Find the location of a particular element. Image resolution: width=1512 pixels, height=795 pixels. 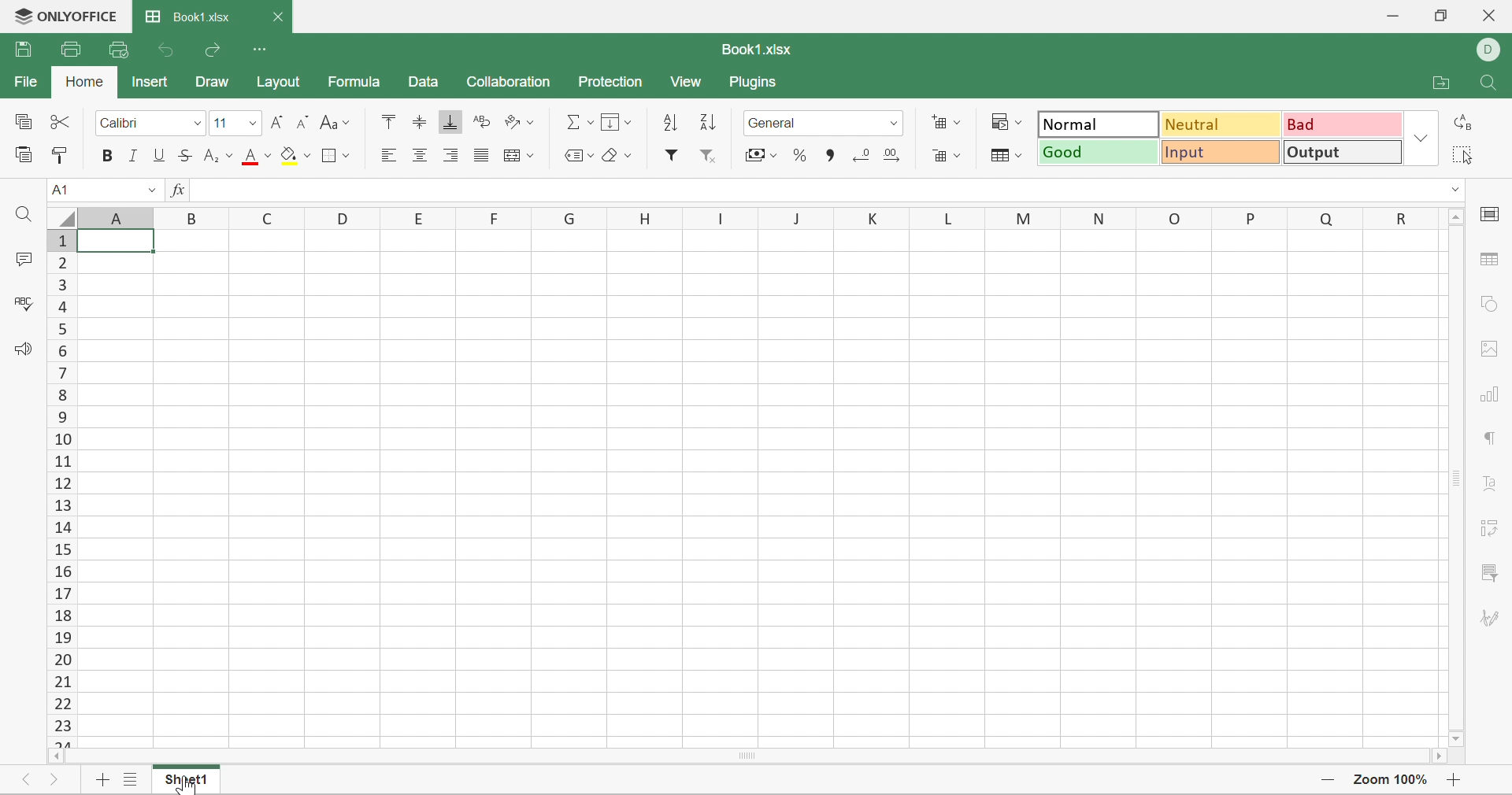

22 is located at coordinates (63, 704).